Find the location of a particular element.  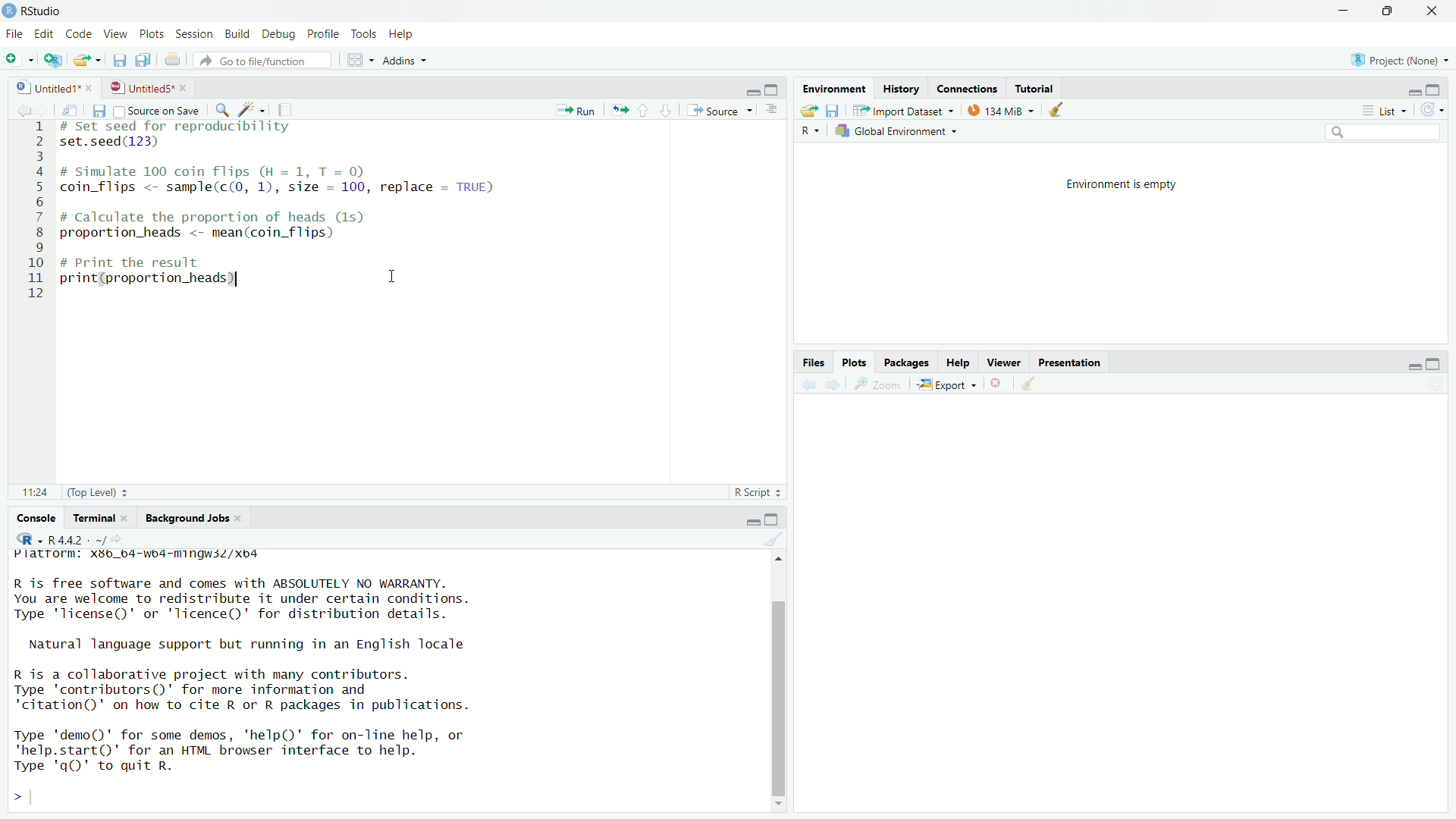

set.seed(123) is located at coordinates (117, 143).